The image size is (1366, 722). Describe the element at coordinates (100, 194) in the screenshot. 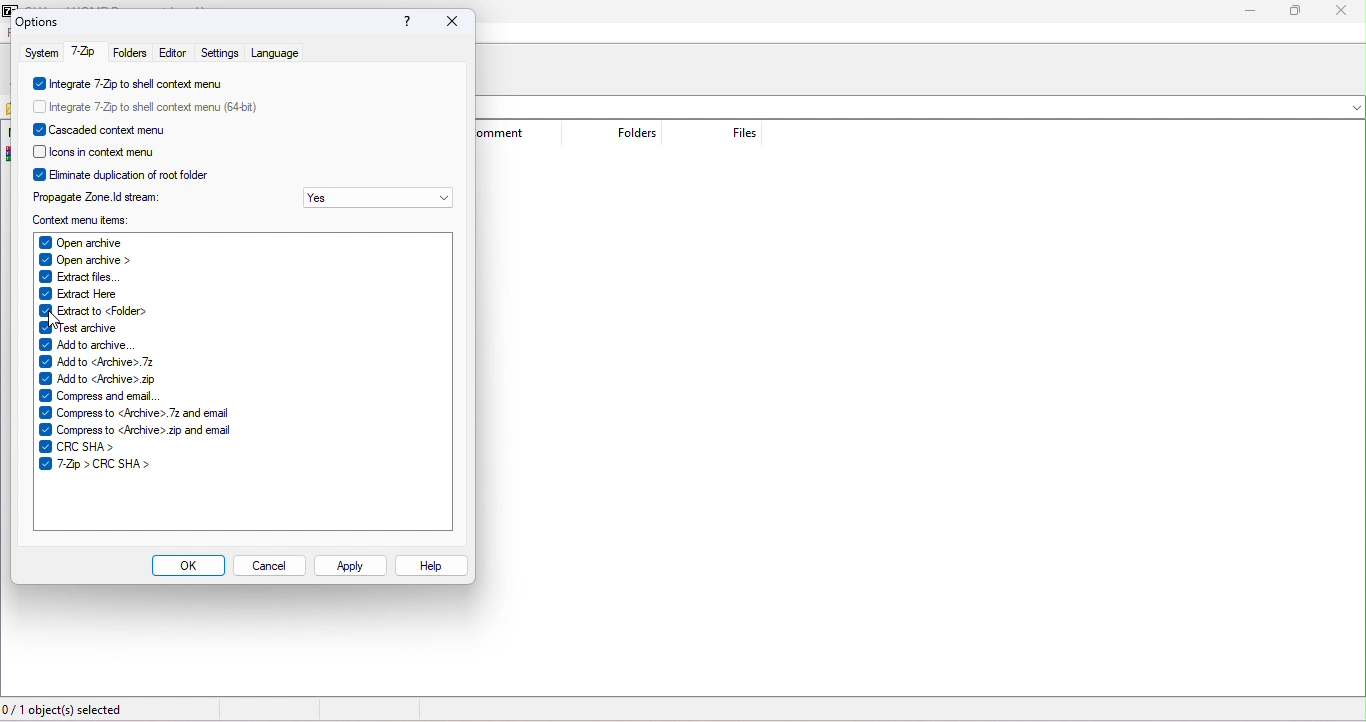

I see `propagate zone id stream` at that location.